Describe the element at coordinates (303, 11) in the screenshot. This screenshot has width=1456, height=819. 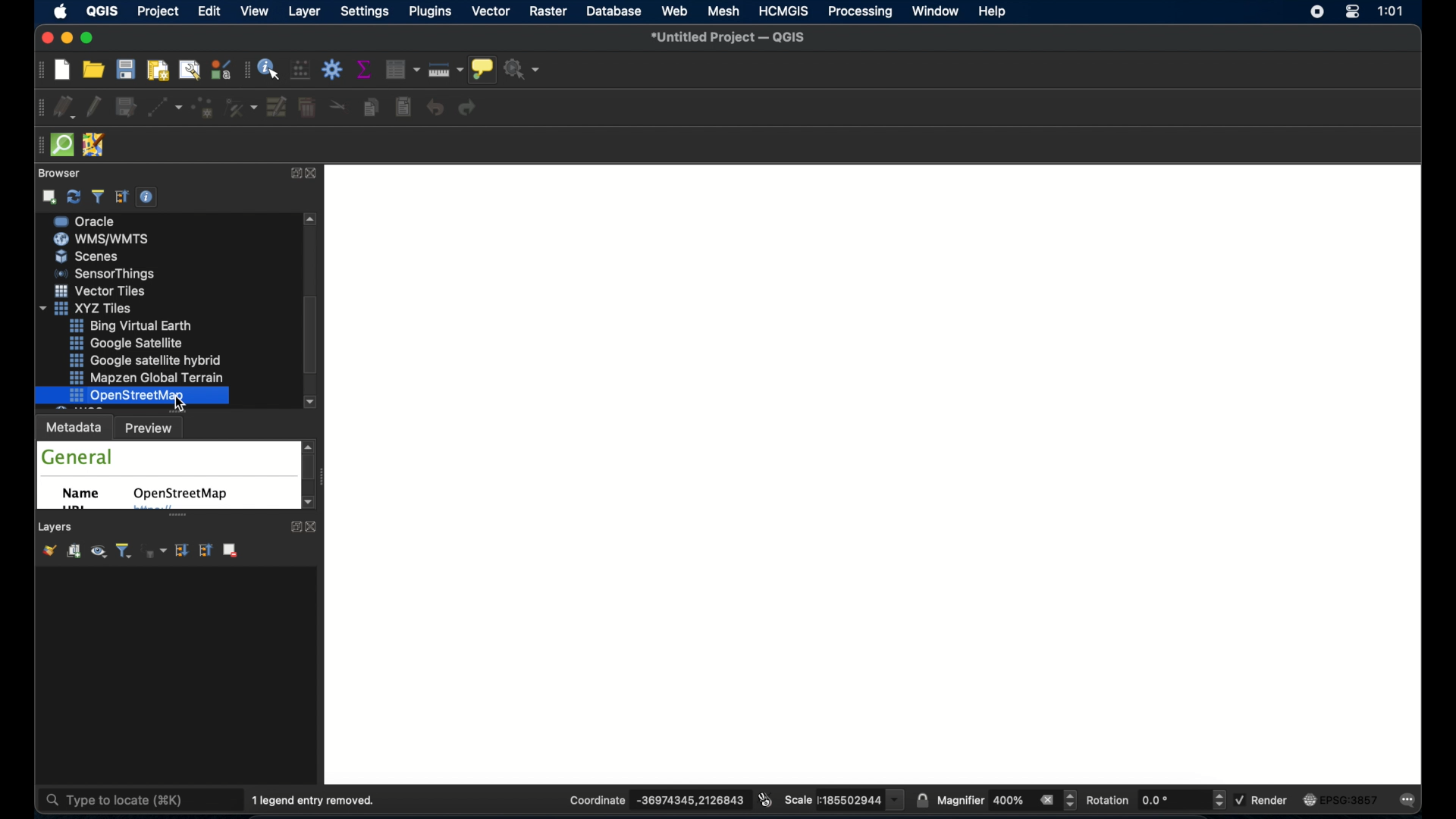
I see `layer` at that location.